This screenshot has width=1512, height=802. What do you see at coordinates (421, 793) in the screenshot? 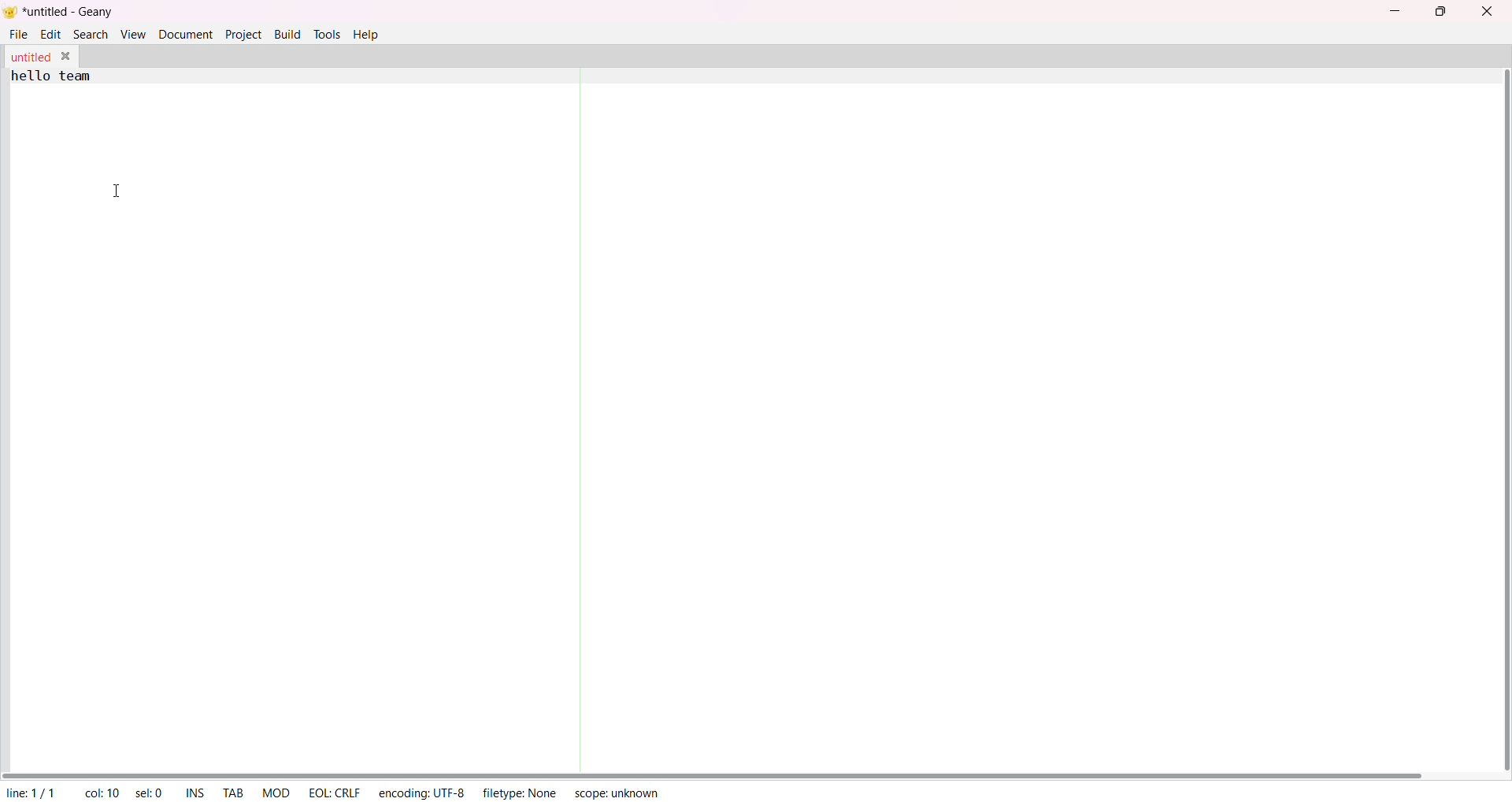
I see `encoding: UTF-8` at bounding box center [421, 793].